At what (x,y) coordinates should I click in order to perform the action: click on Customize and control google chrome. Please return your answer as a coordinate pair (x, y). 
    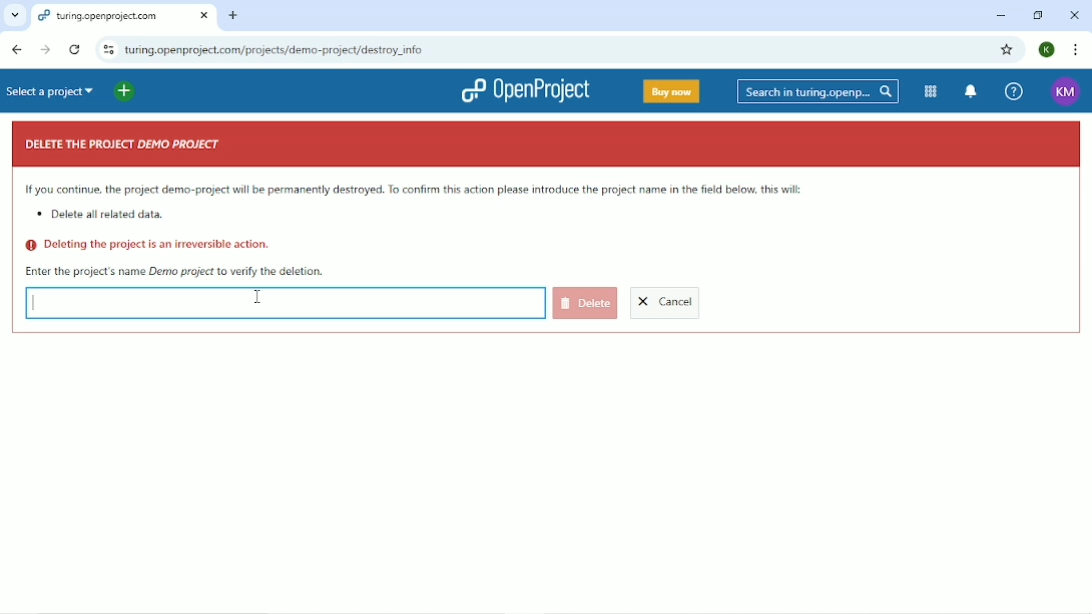
    Looking at the image, I should click on (1077, 50).